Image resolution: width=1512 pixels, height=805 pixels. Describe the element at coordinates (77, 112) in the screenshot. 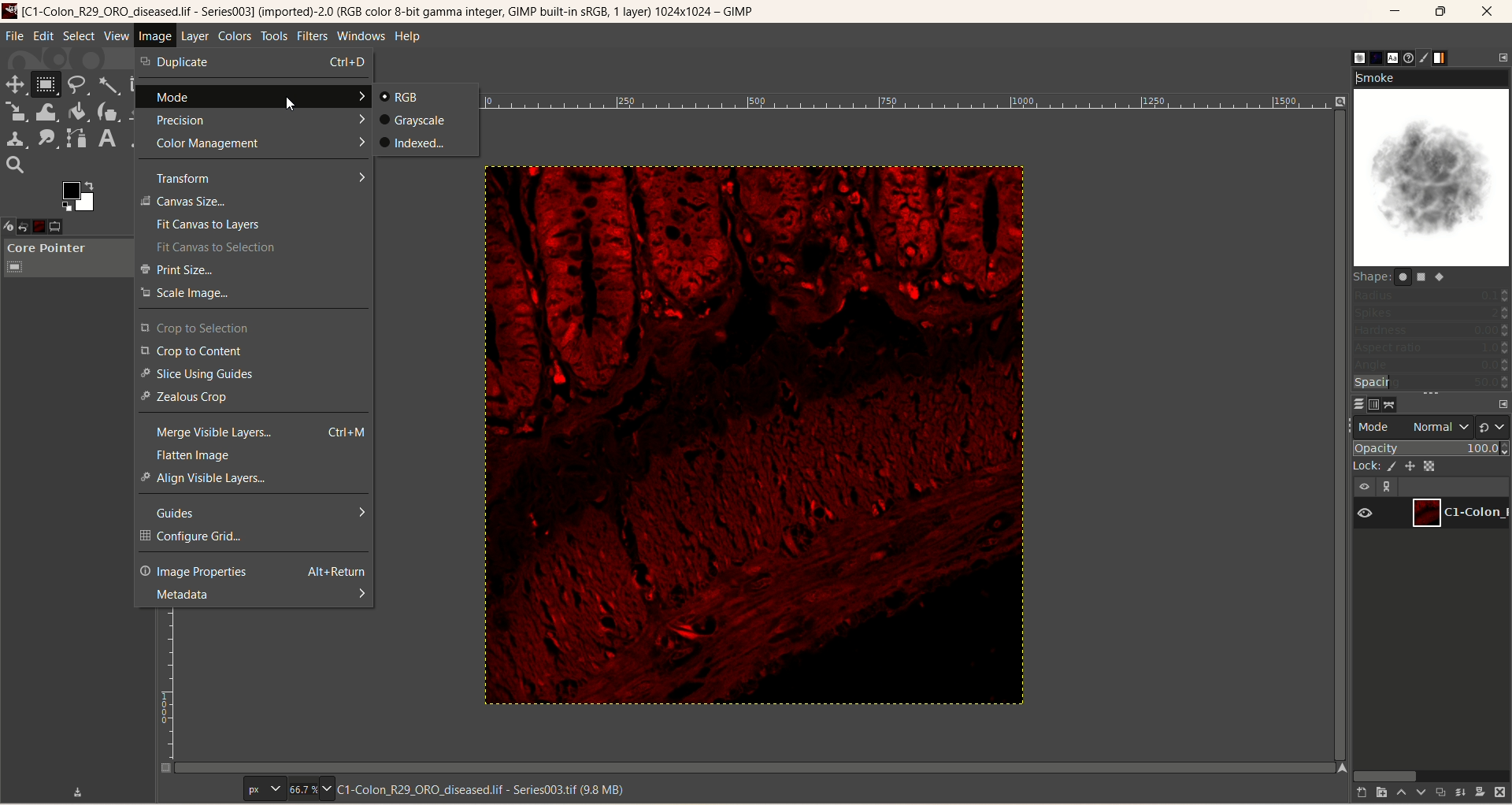

I see `paint bucket` at that location.